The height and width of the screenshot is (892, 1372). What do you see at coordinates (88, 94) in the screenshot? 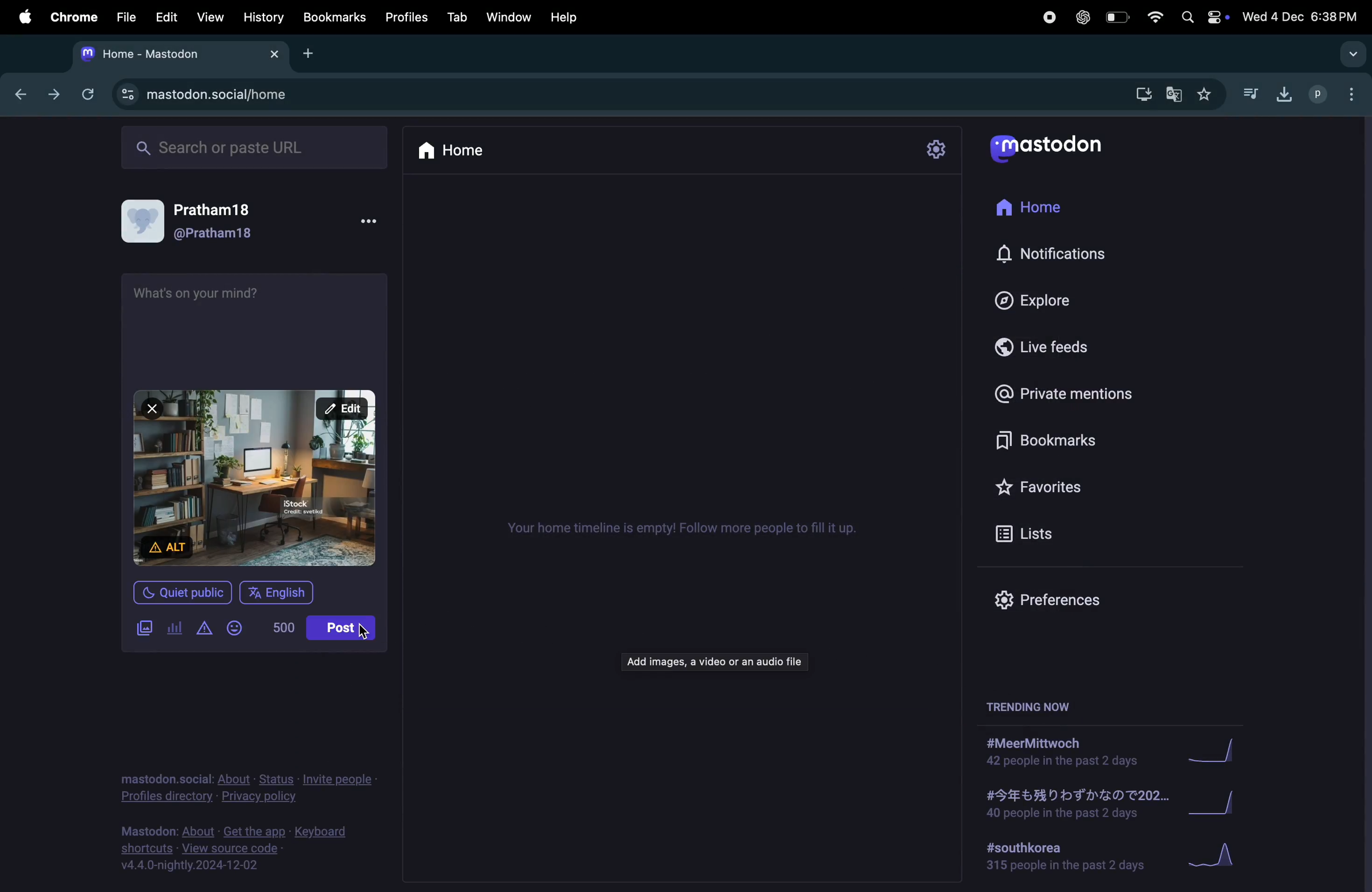
I see `refresh` at bounding box center [88, 94].